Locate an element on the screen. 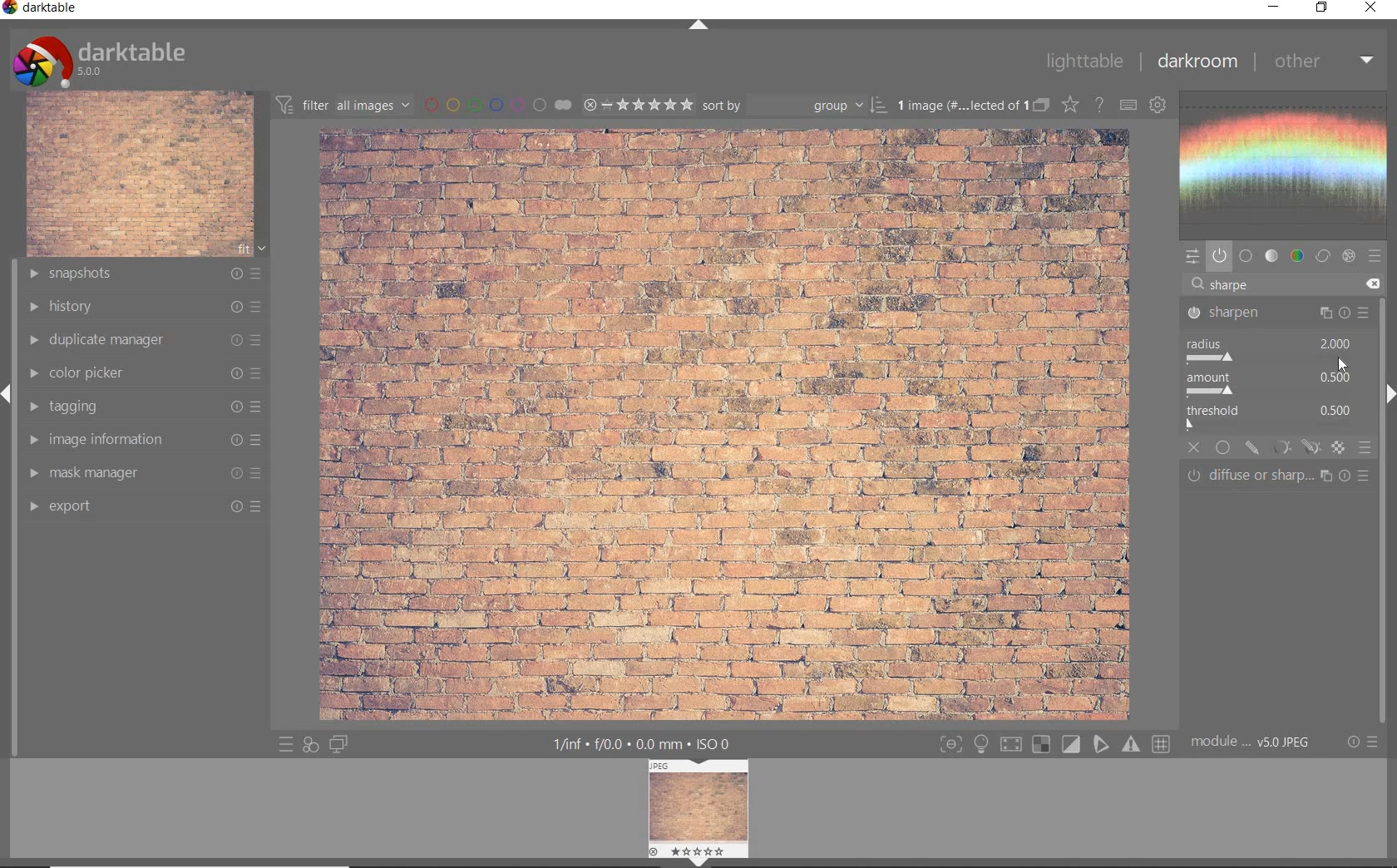 The width and height of the screenshot is (1397, 868). correct  is located at coordinates (1323, 256).